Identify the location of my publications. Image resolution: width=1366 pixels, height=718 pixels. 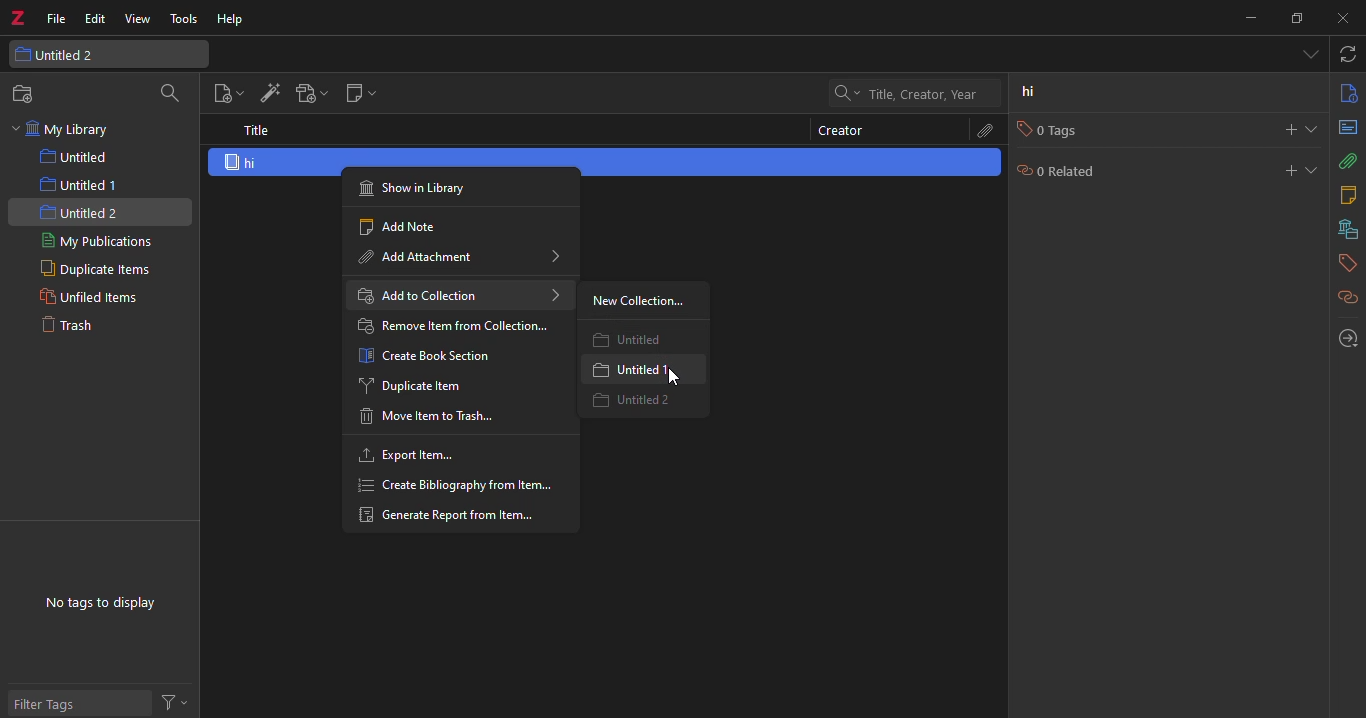
(95, 241).